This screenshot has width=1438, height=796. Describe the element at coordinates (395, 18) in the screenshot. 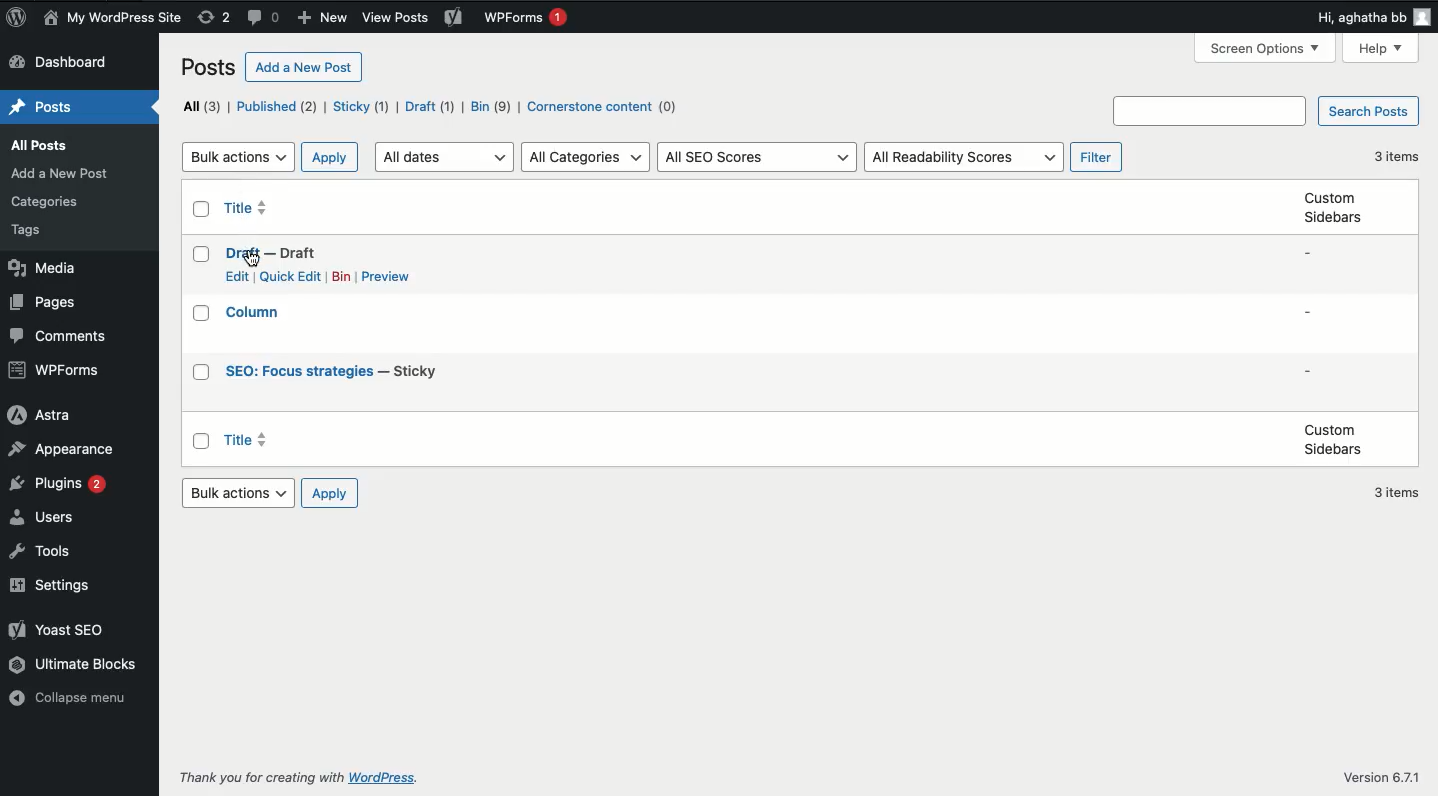

I see `view posts` at that location.